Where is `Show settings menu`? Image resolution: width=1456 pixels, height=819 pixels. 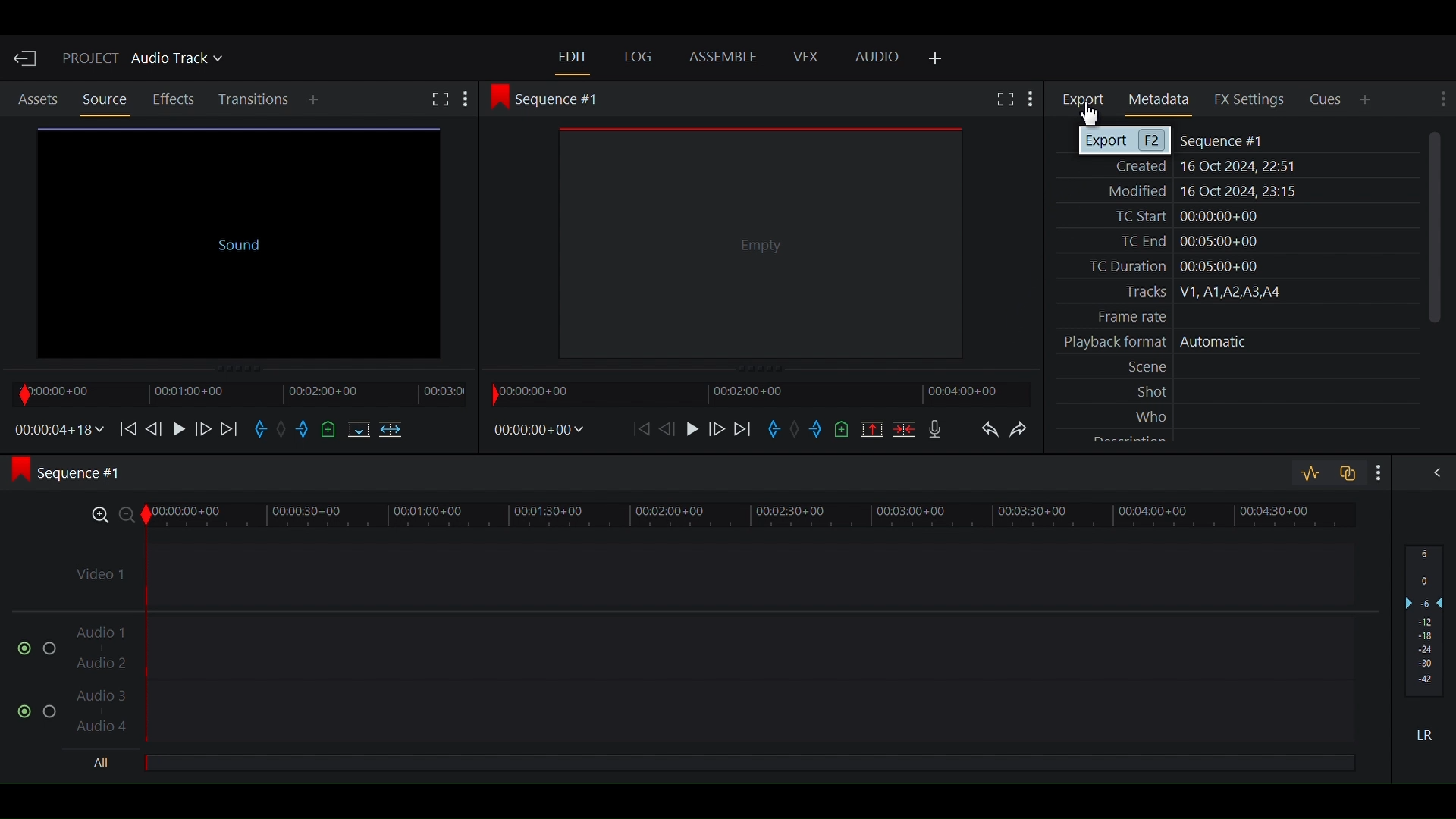 Show settings menu is located at coordinates (1375, 472).